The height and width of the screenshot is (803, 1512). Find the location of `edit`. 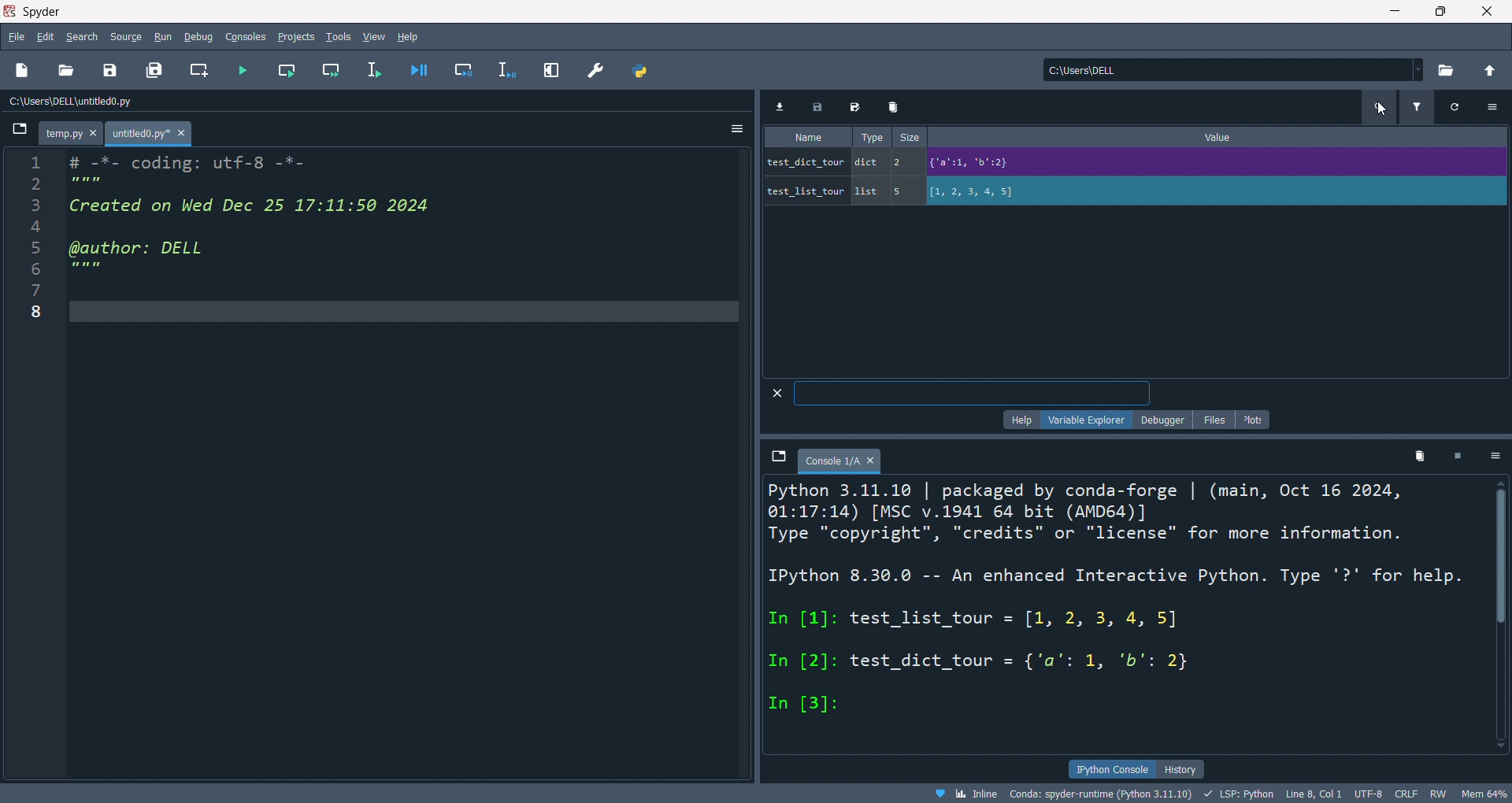

edit is located at coordinates (45, 35).